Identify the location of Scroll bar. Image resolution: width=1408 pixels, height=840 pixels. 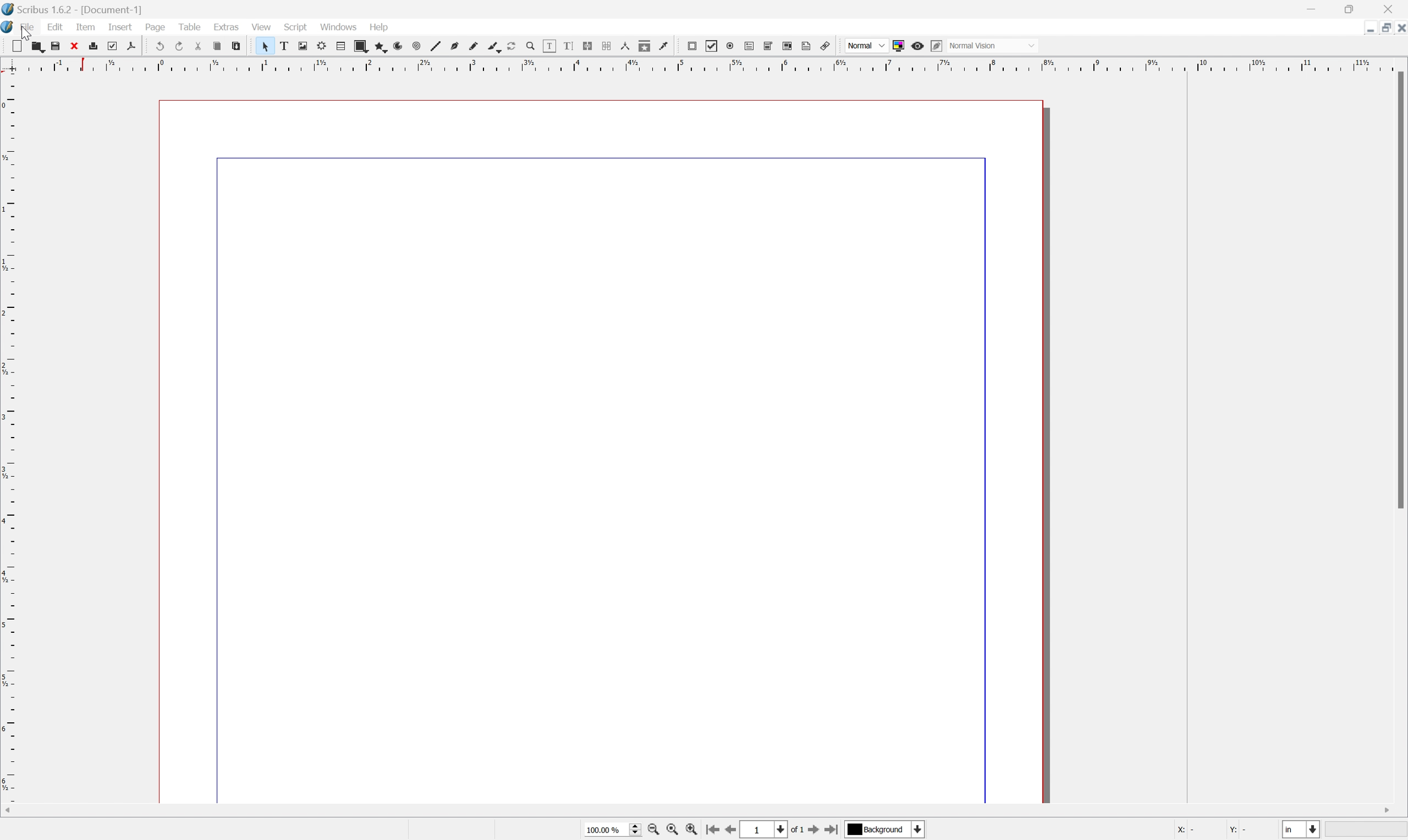
(1399, 292).